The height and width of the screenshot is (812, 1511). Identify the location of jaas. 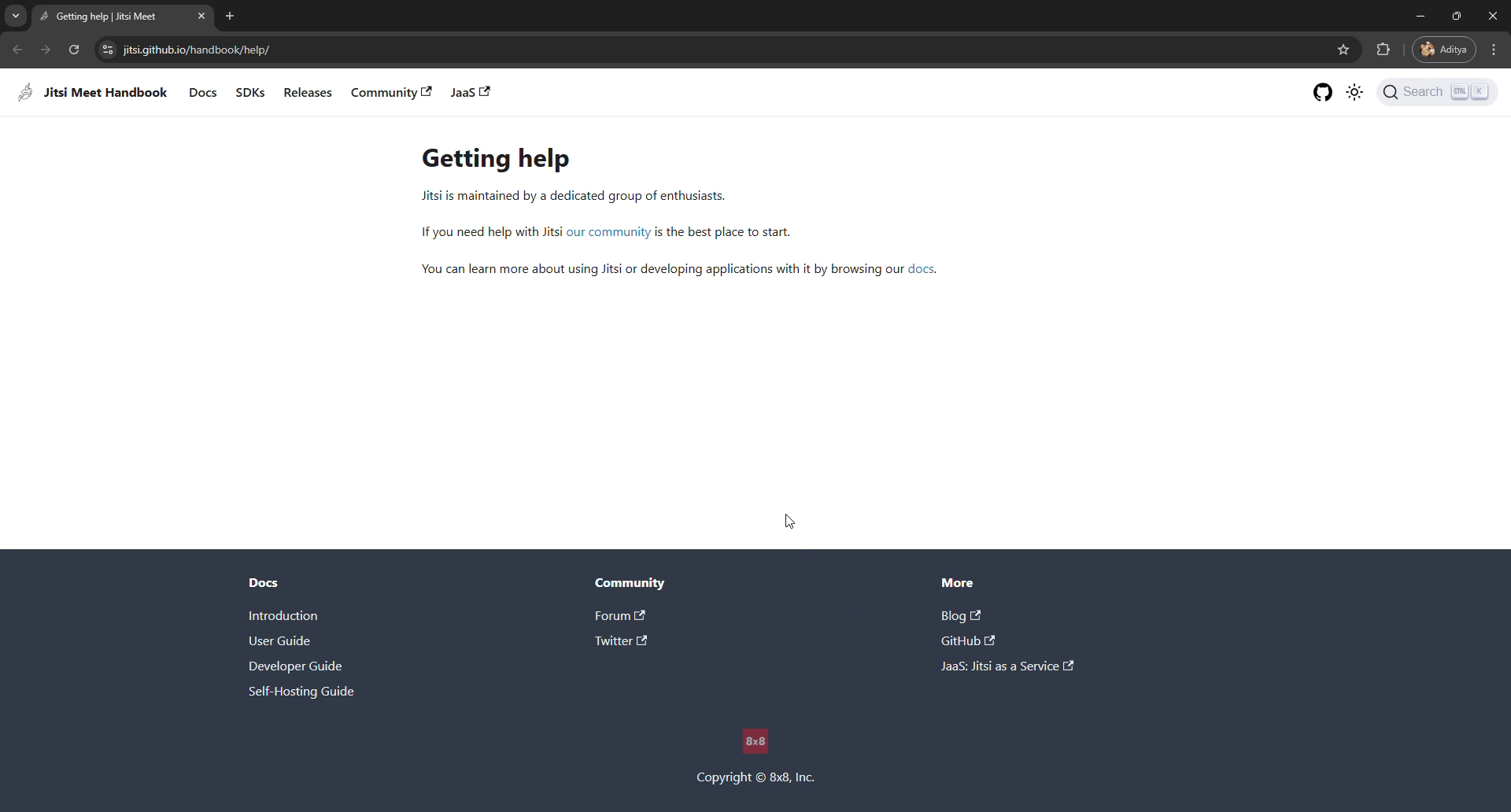
(1010, 665).